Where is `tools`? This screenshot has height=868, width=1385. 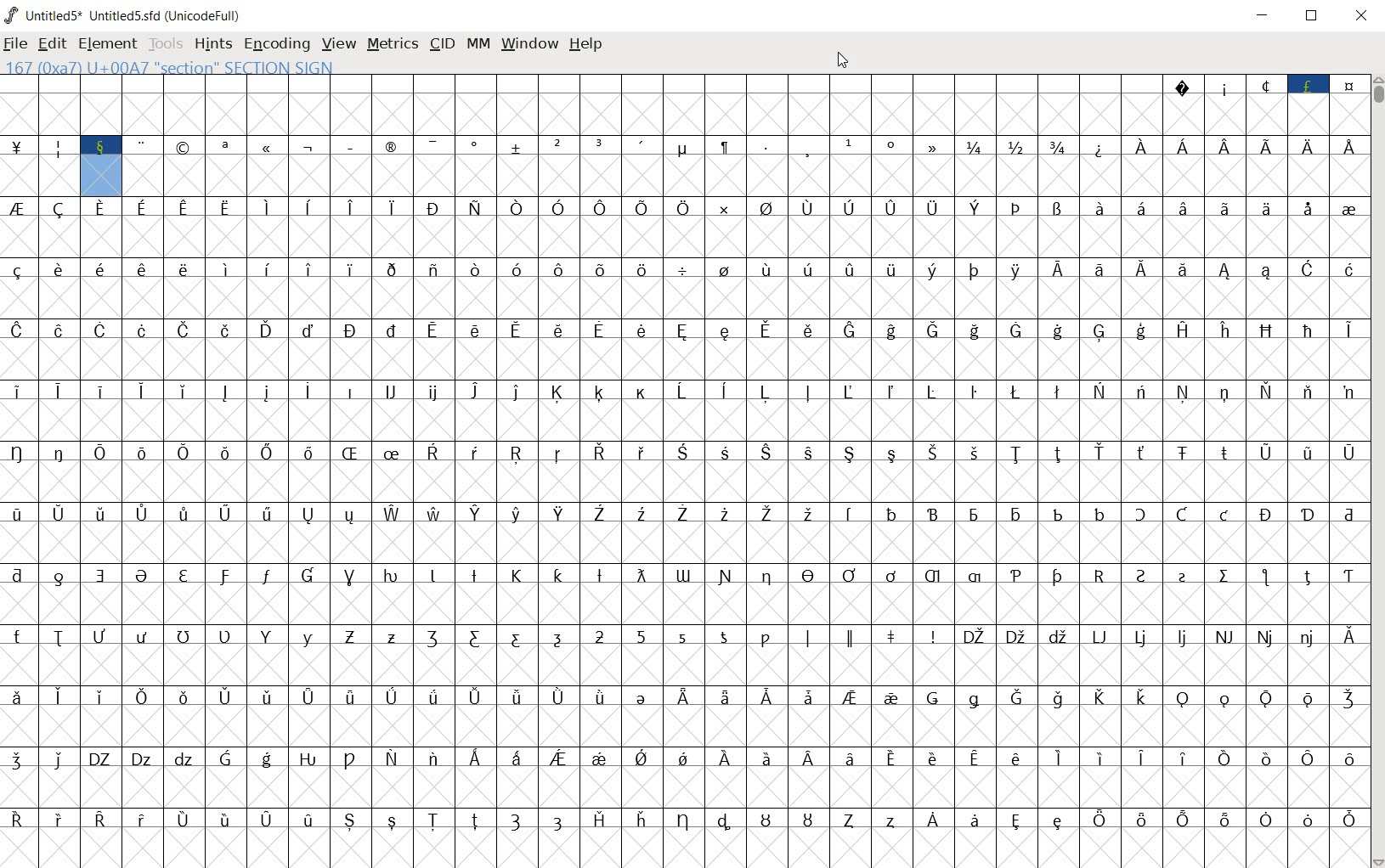 tools is located at coordinates (164, 42).